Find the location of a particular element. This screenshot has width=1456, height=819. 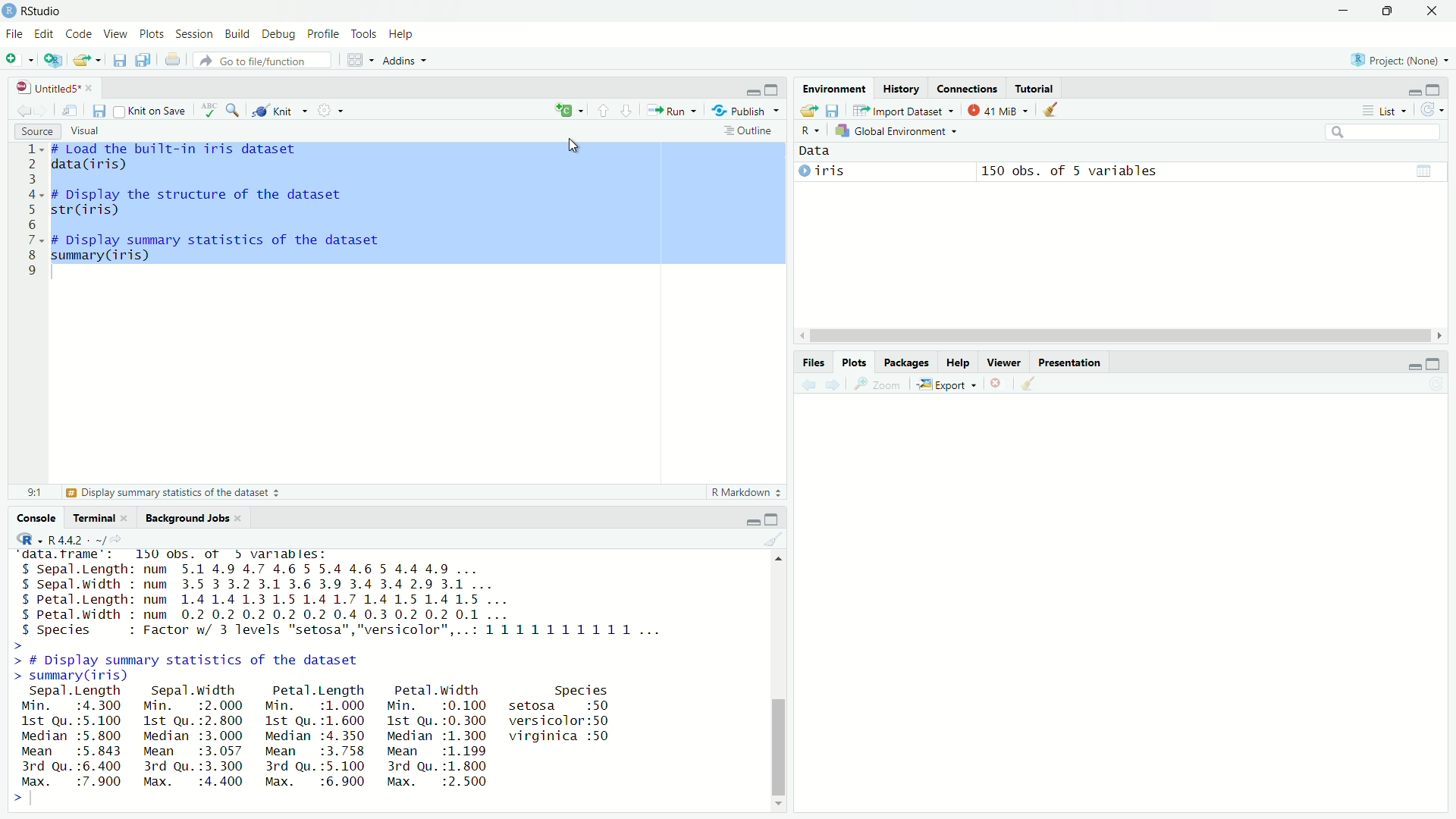

137MiB is located at coordinates (1000, 109).